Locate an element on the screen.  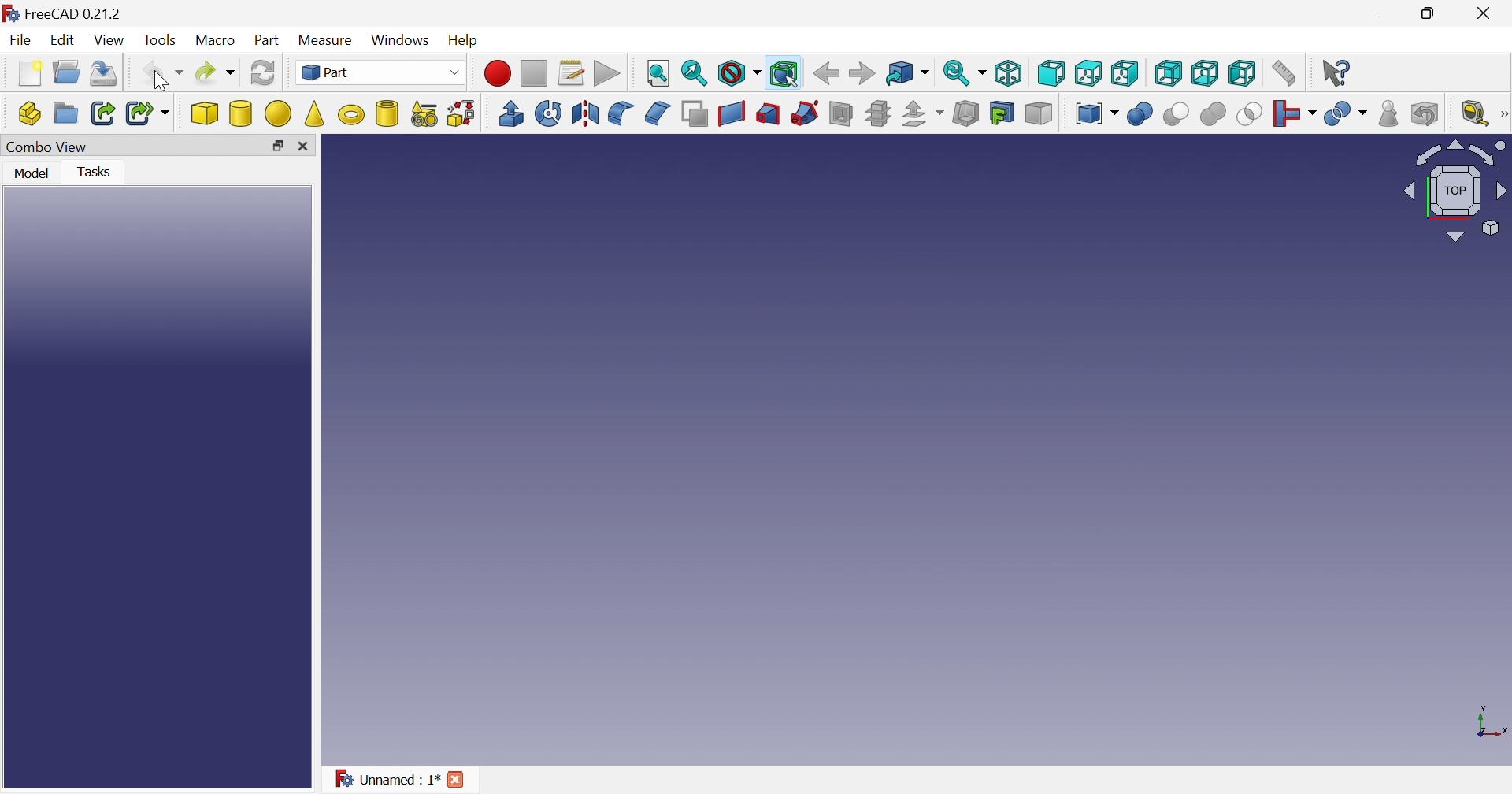
Stop macro recording... is located at coordinates (535, 74).